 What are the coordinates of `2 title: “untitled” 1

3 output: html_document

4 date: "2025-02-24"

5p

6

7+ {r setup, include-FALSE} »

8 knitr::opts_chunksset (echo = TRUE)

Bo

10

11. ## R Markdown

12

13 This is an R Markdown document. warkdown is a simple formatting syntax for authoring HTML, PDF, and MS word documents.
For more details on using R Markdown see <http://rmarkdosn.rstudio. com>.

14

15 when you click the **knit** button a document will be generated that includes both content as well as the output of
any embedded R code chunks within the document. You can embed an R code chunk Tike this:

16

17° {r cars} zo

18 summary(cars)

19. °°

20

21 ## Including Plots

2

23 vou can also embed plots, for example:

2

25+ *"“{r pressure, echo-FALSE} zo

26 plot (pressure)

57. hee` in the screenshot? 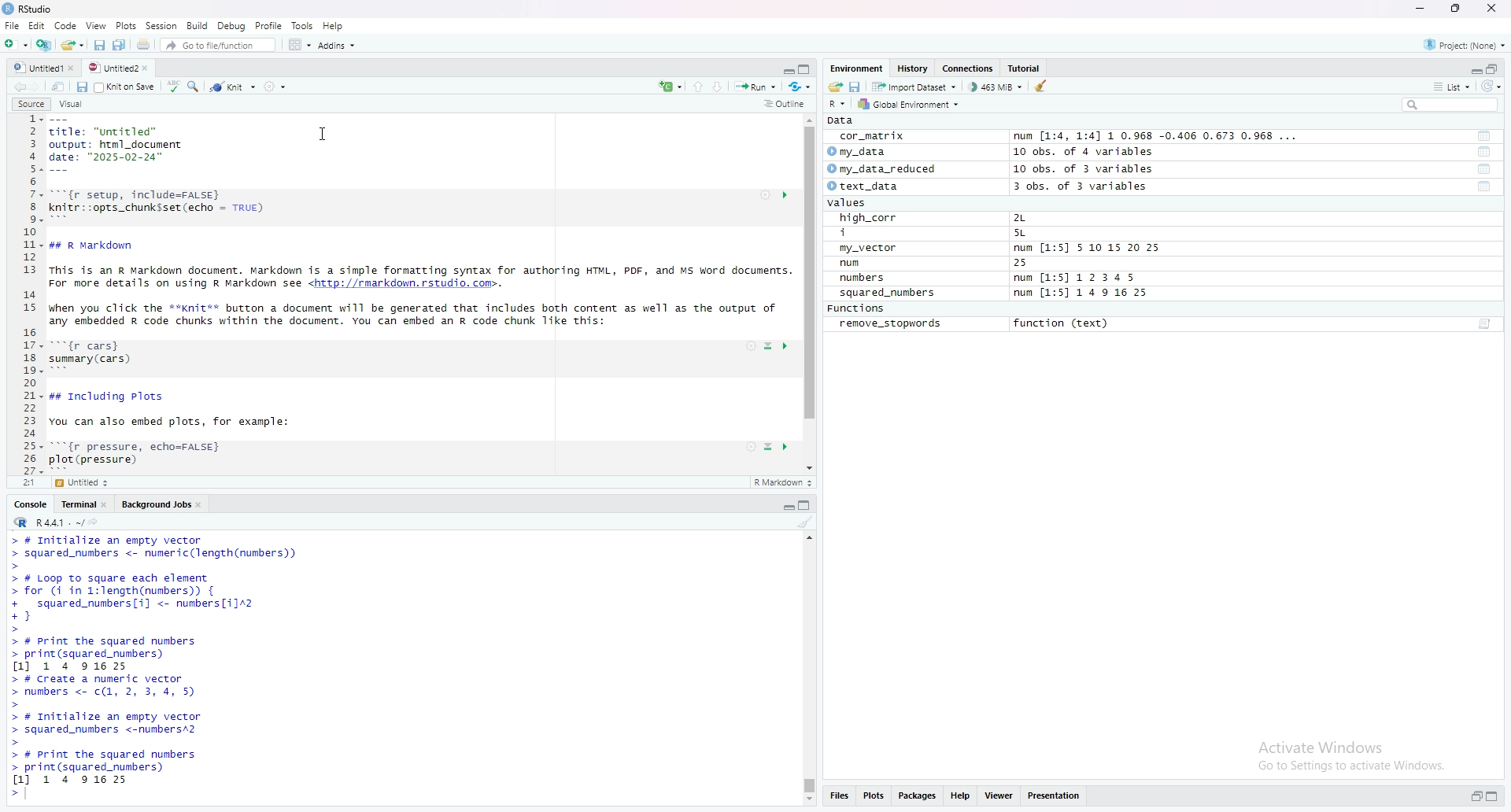 It's located at (401, 293).